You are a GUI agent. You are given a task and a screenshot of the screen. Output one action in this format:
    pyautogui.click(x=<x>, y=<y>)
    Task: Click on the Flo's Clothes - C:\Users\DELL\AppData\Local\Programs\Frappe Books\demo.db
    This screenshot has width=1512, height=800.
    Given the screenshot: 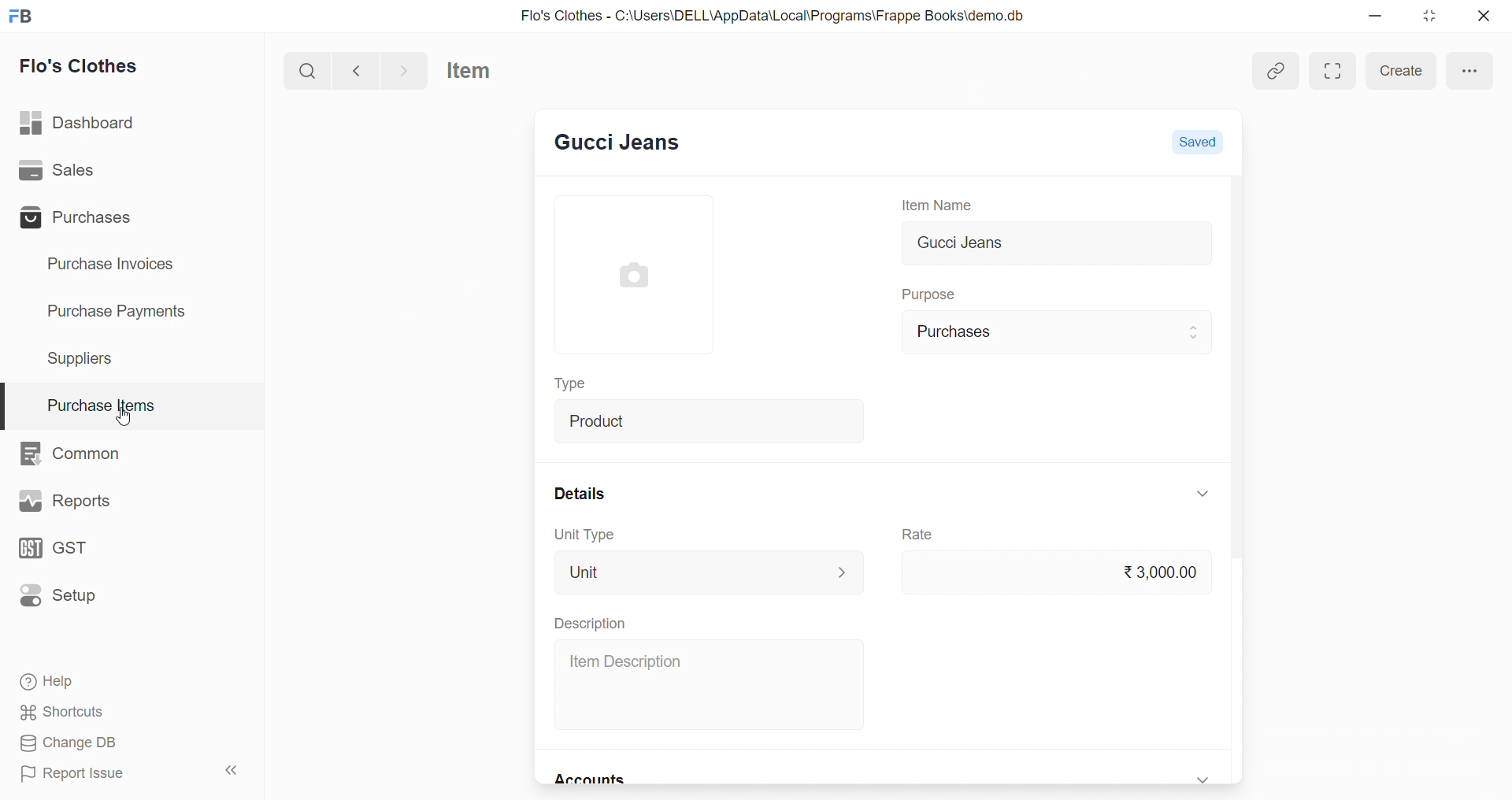 What is the action you would take?
    pyautogui.click(x=773, y=14)
    